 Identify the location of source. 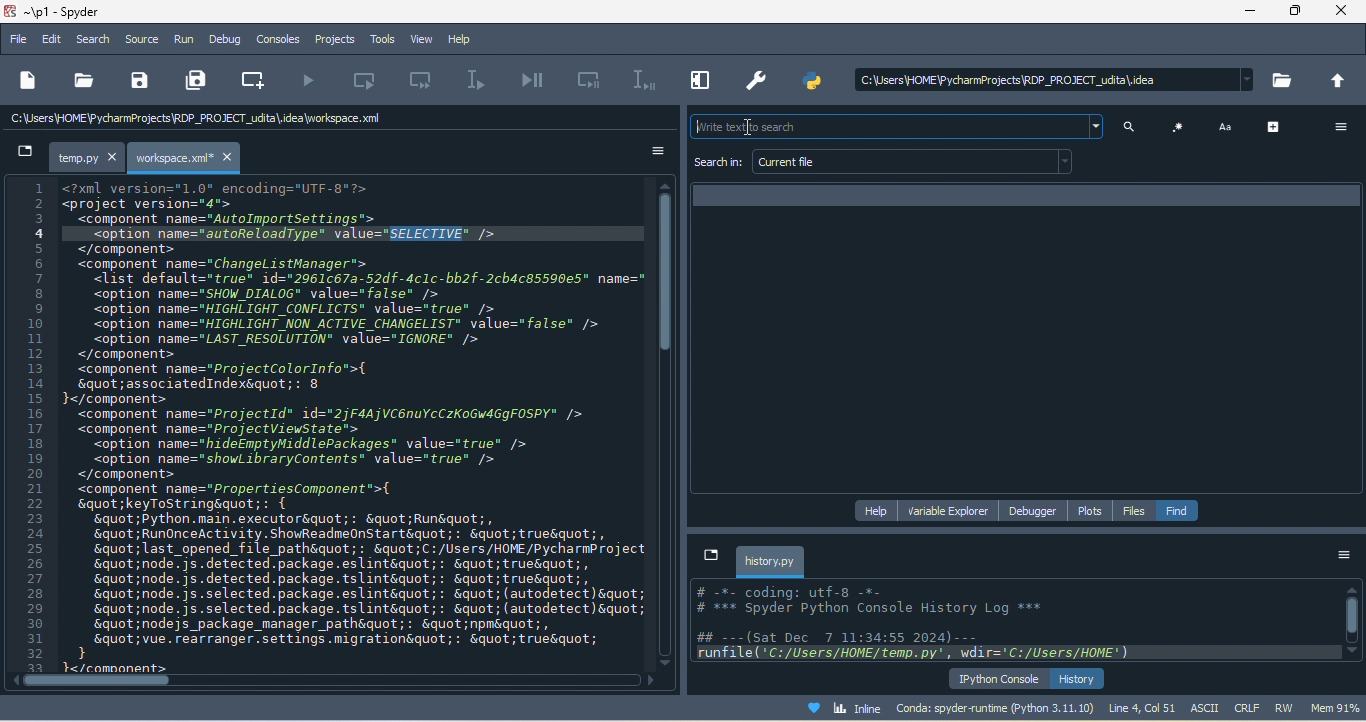
(145, 40).